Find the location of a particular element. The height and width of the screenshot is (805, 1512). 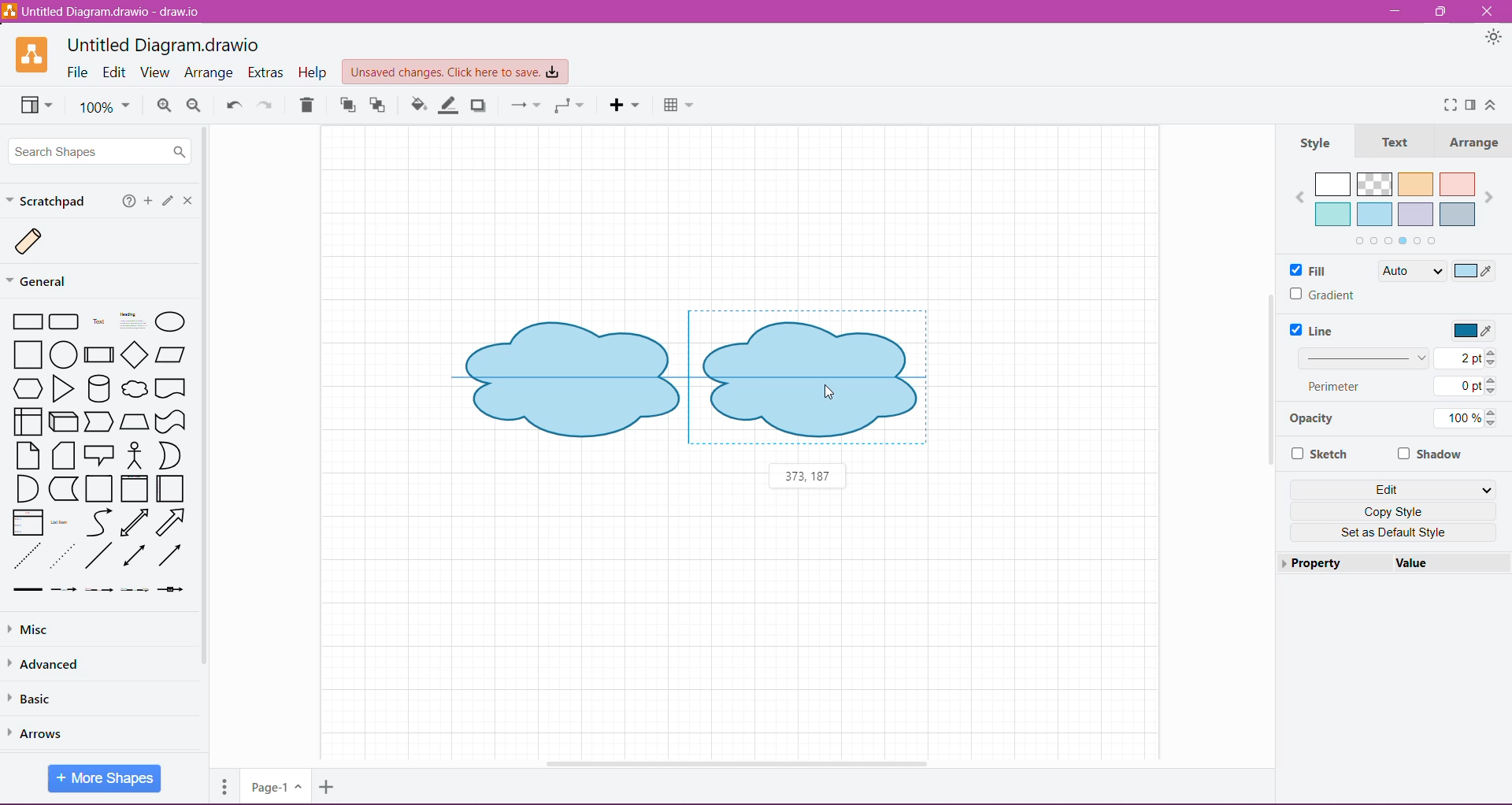

To Front is located at coordinates (346, 106).